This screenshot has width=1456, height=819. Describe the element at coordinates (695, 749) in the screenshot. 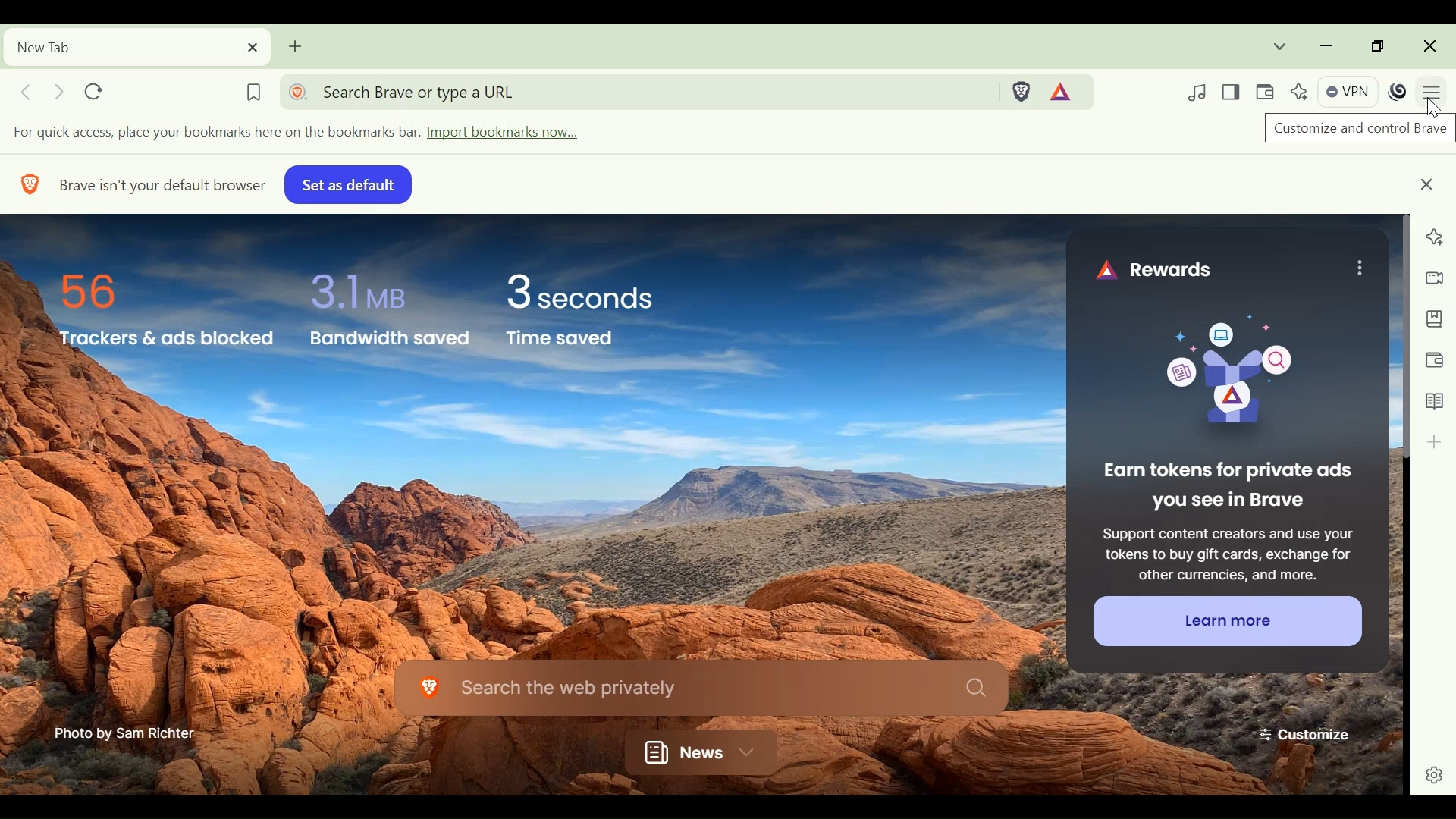

I see `News` at that location.